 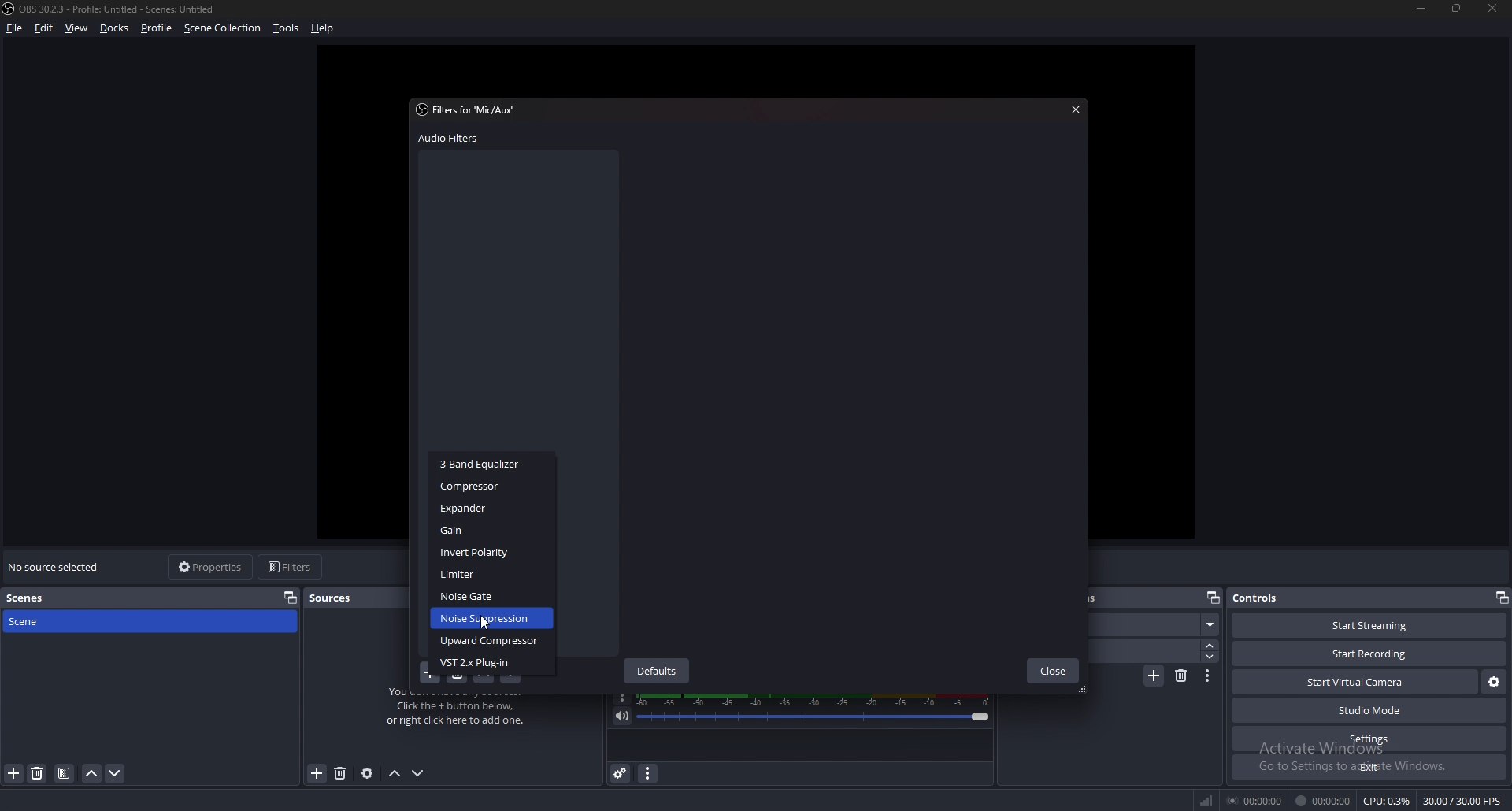 What do you see at coordinates (1324, 800) in the screenshot?
I see `00:00:00` at bounding box center [1324, 800].